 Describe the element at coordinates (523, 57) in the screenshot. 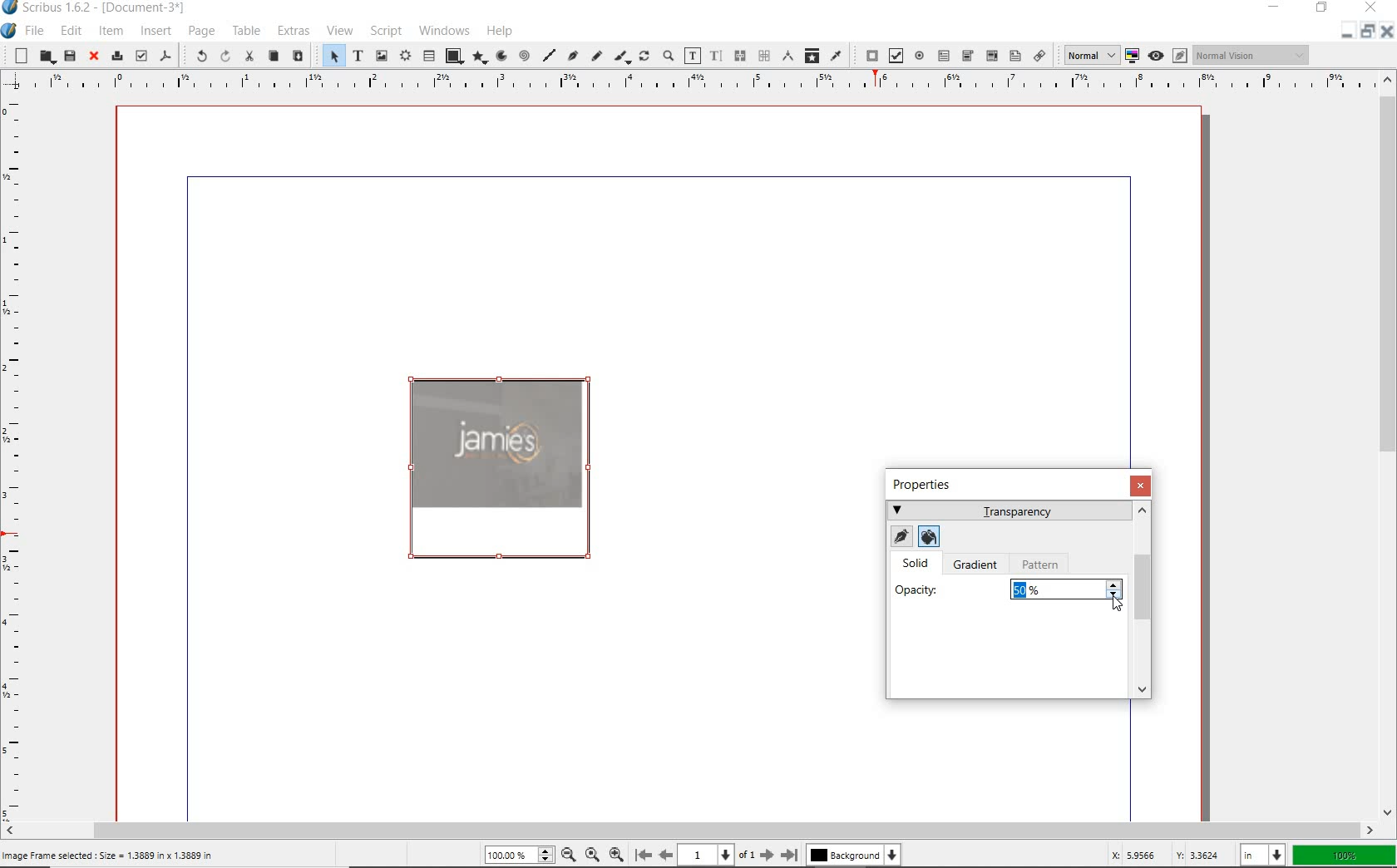

I see `spiral` at that location.